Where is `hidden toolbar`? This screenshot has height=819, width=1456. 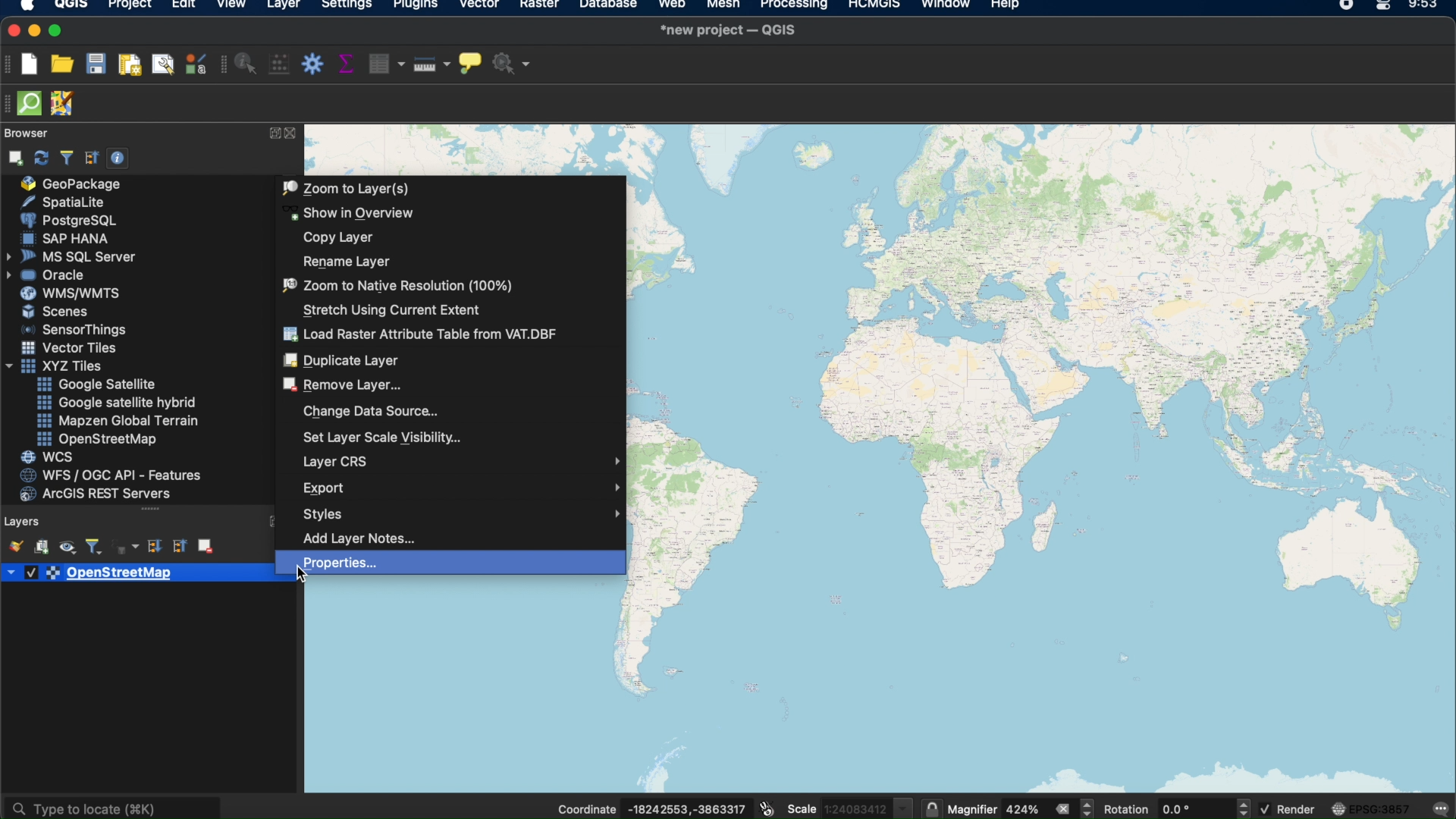 hidden toolbar is located at coordinates (9, 104).